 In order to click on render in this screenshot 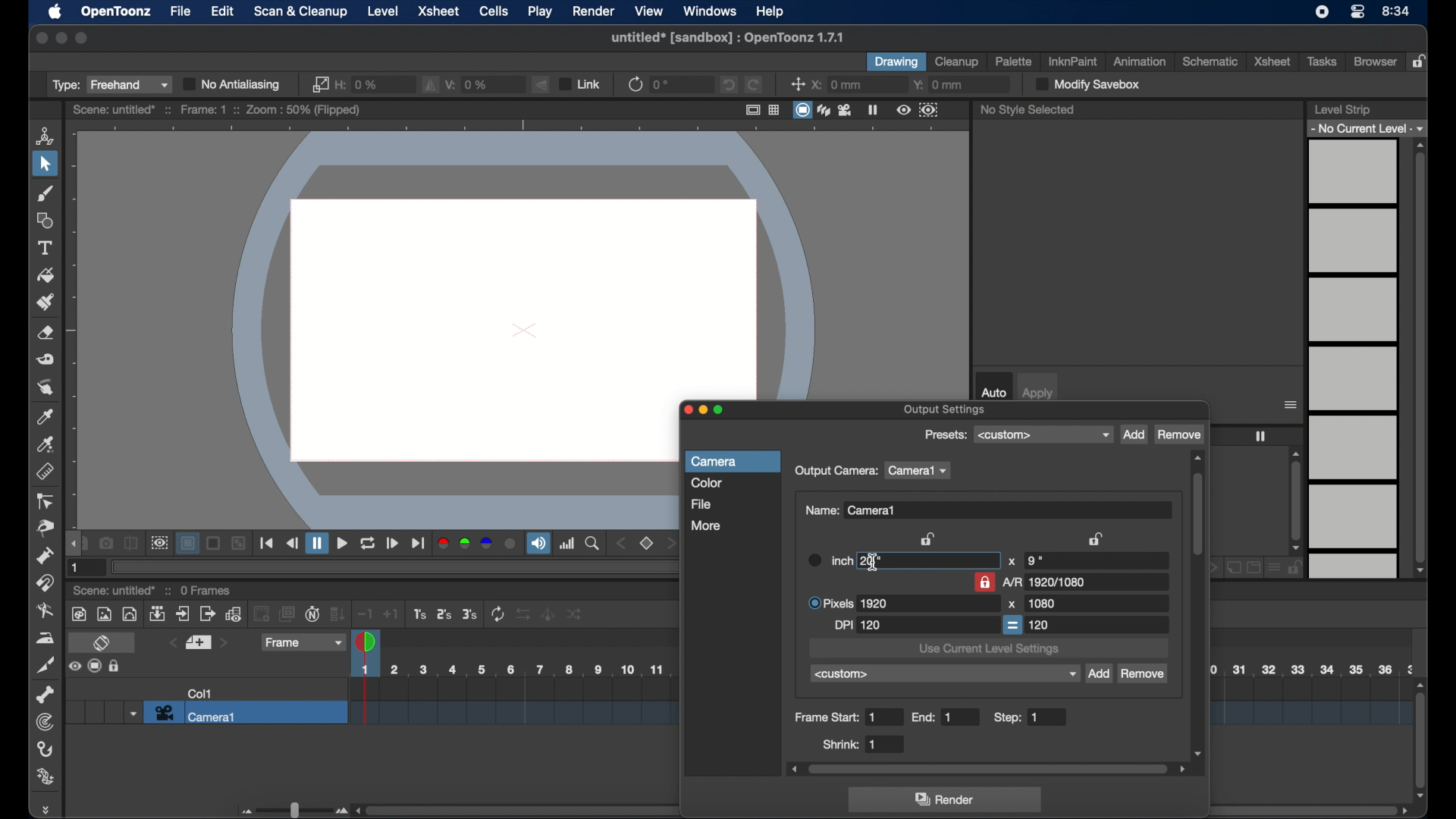, I will do `click(947, 800)`.